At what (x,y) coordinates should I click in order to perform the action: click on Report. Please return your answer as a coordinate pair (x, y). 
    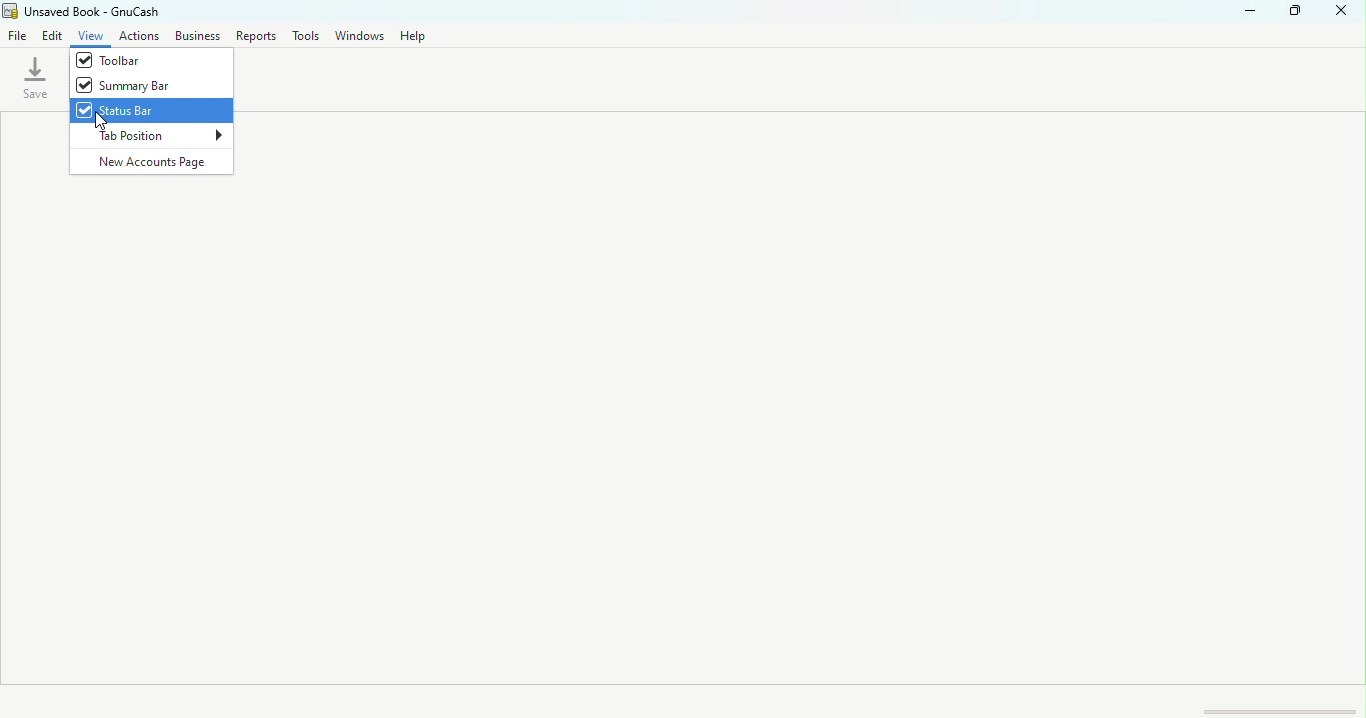
    Looking at the image, I should click on (257, 37).